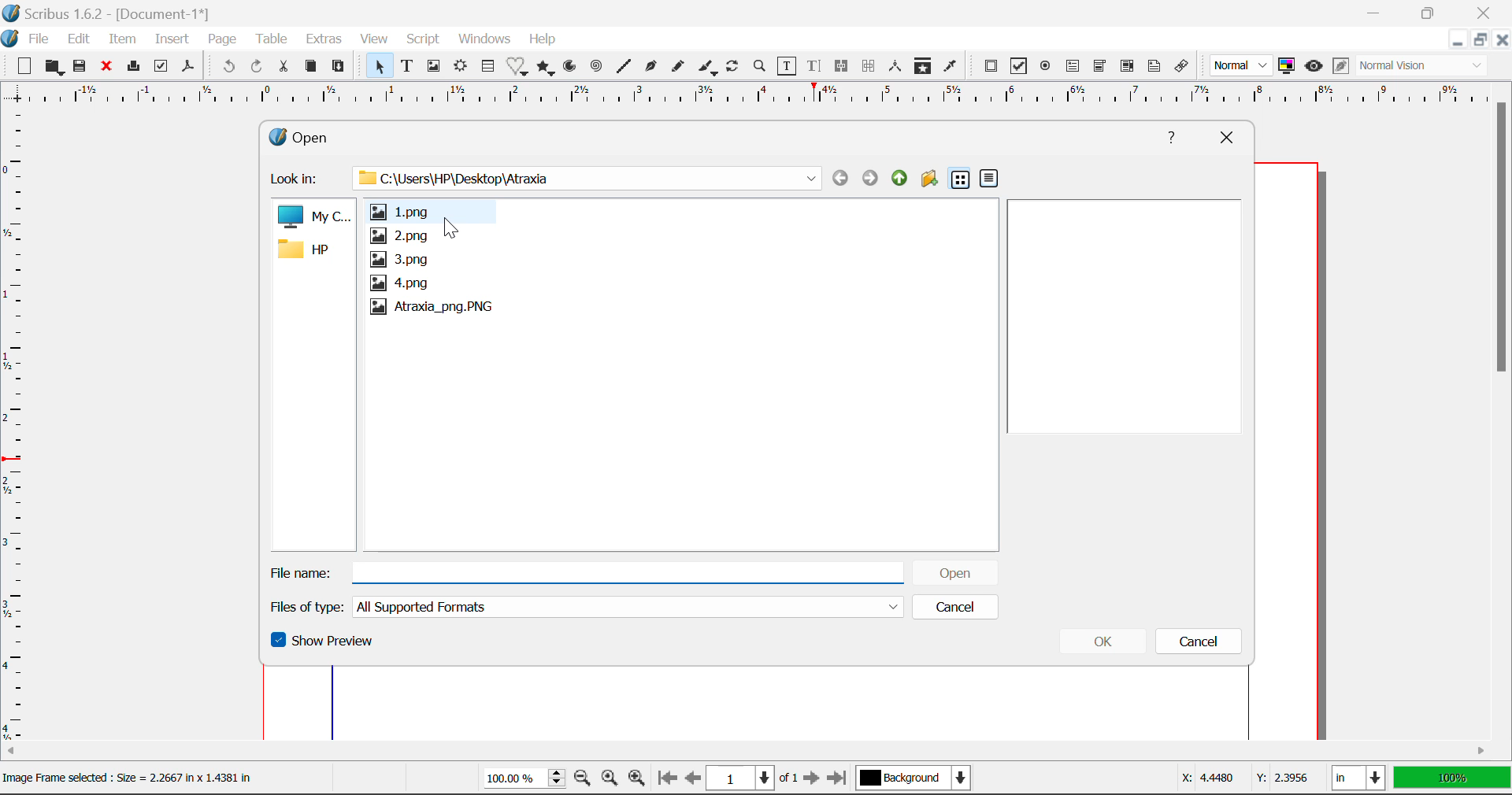 The height and width of the screenshot is (795, 1512). Describe the element at coordinates (1459, 42) in the screenshot. I see `Restore Down` at that location.